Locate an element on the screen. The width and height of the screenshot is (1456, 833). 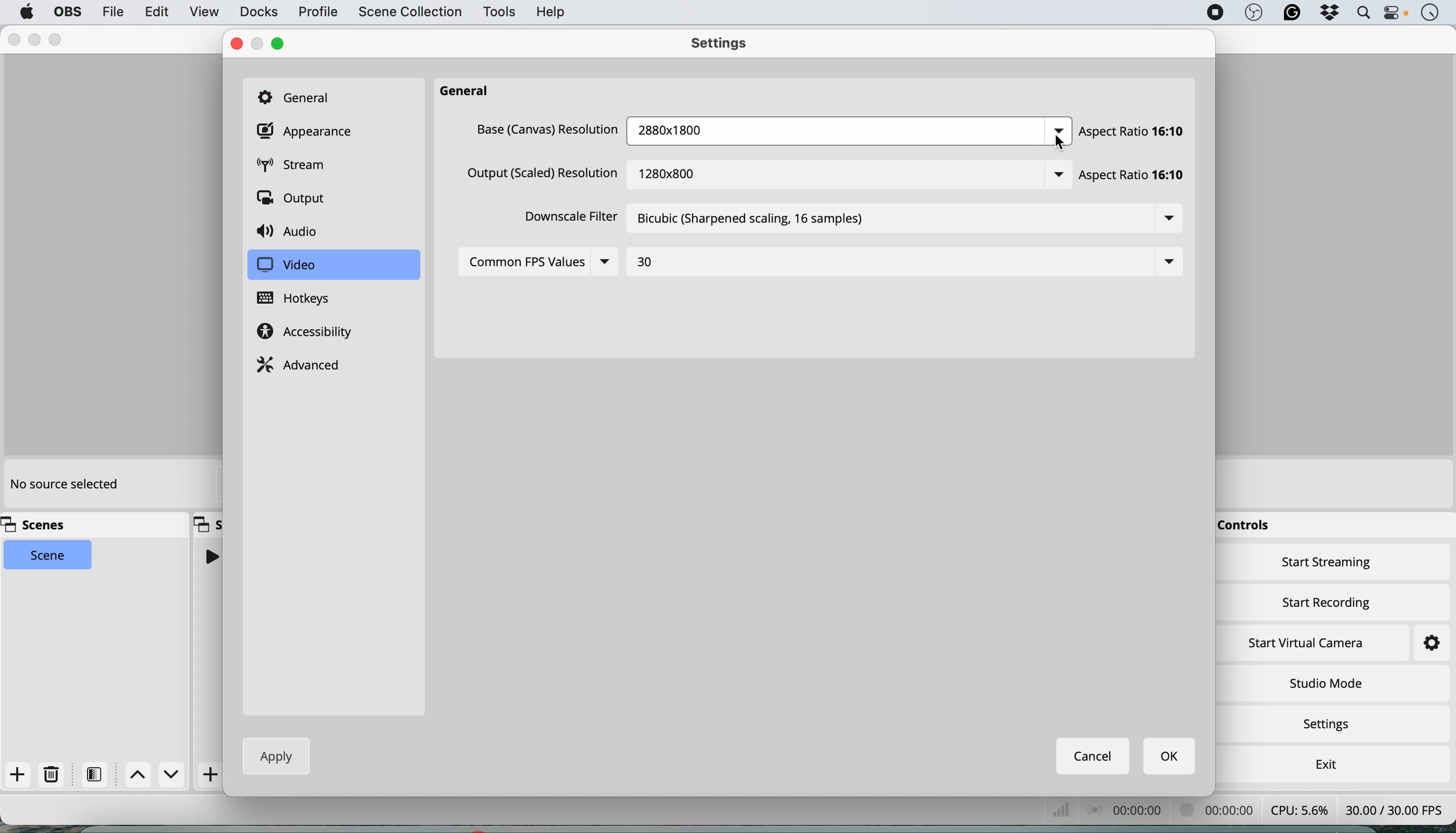
aspect ratio is located at coordinates (1135, 131).